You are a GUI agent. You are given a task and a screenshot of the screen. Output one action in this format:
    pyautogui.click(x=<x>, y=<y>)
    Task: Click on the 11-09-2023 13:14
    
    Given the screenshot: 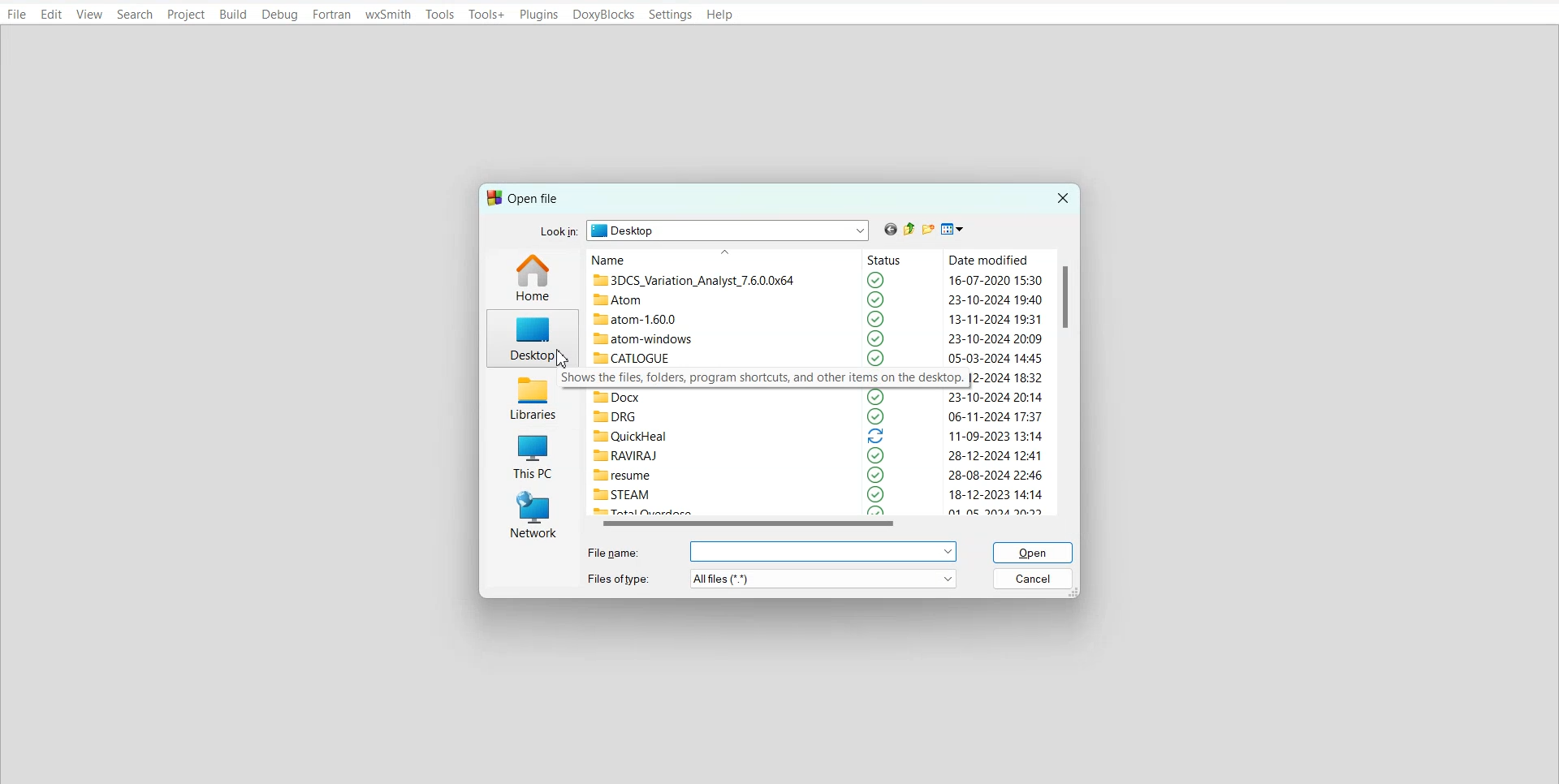 What is the action you would take?
    pyautogui.click(x=995, y=437)
    